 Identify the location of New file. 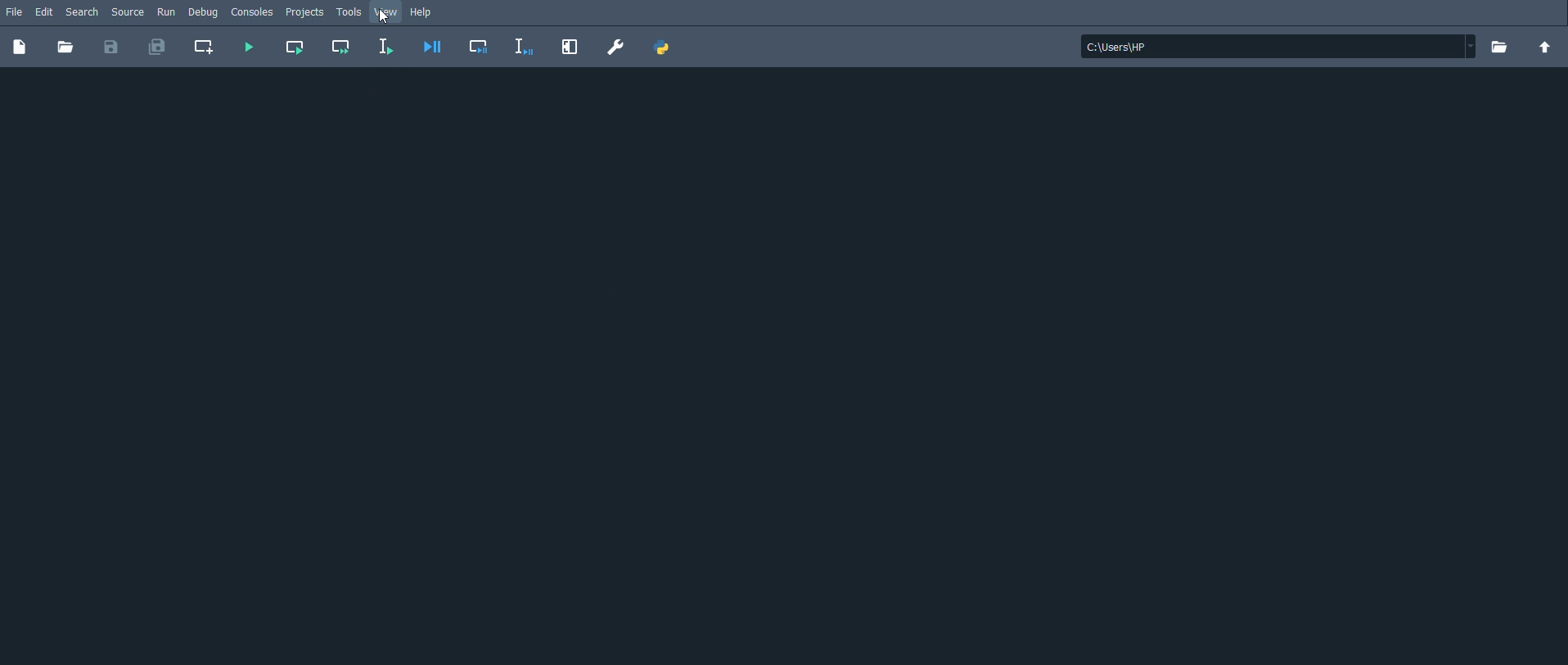
(19, 47).